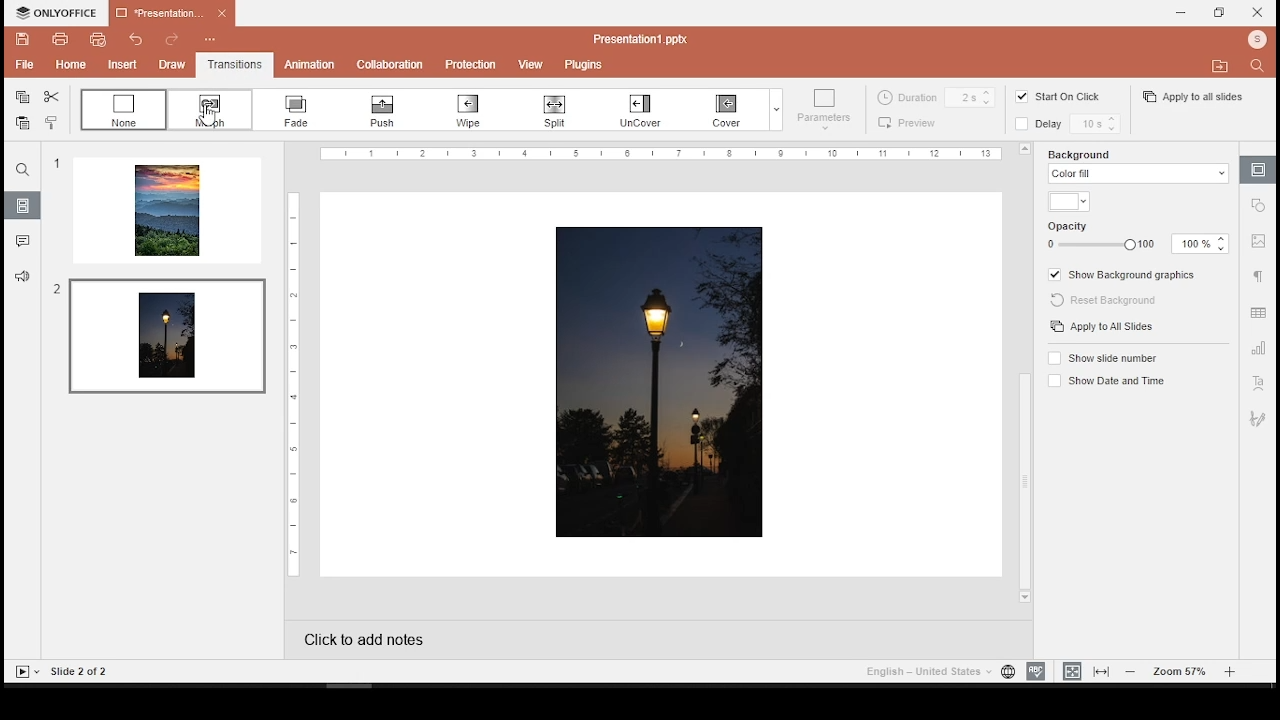  What do you see at coordinates (1259, 349) in the screenshot?
I see `chart settings` at bounding box center [1259, 349].